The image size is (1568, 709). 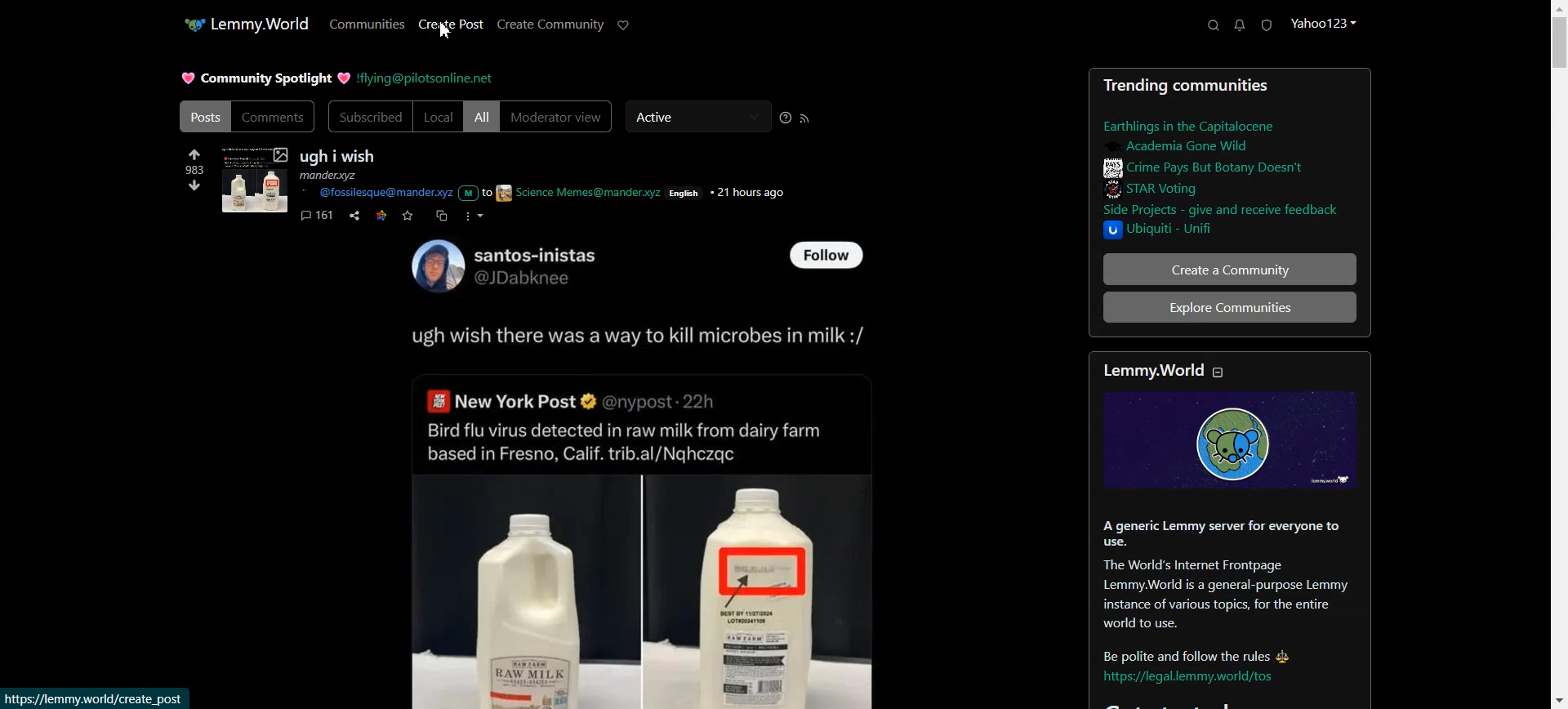 I want to click on Link, so click(x=381, y=215).